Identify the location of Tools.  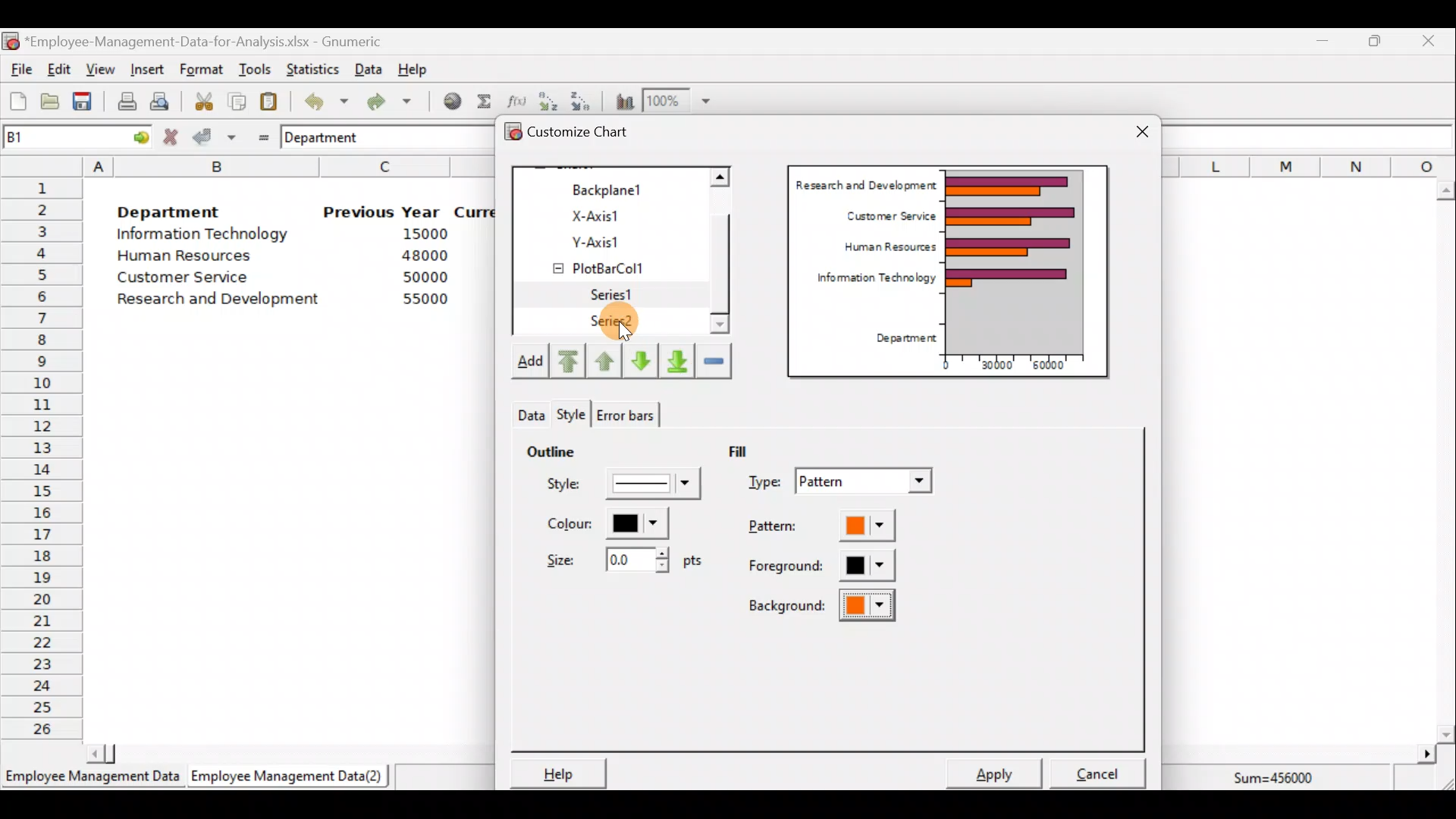
(254, 71).